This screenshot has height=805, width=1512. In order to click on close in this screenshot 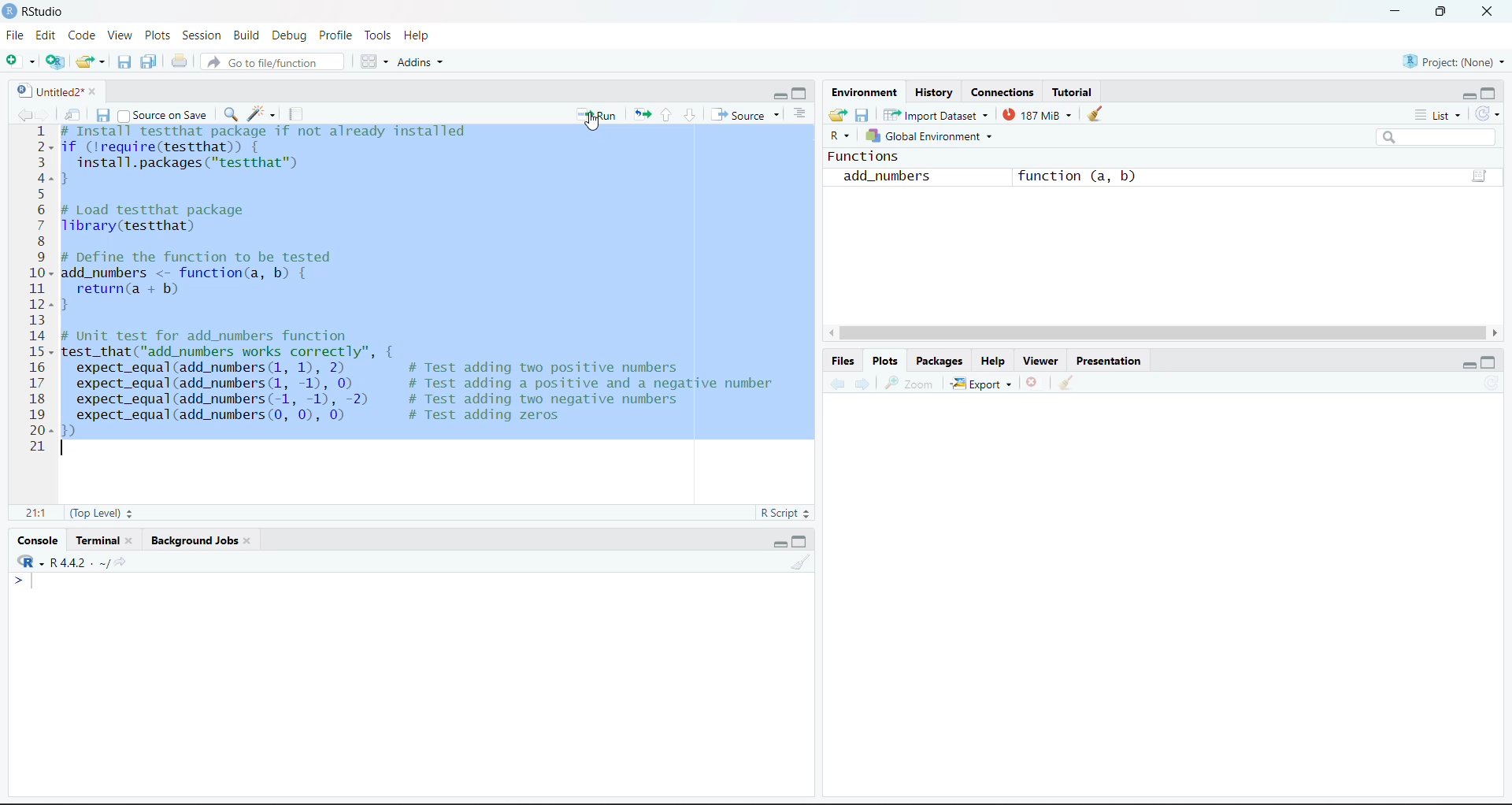, I will do `click(94, 91)`.